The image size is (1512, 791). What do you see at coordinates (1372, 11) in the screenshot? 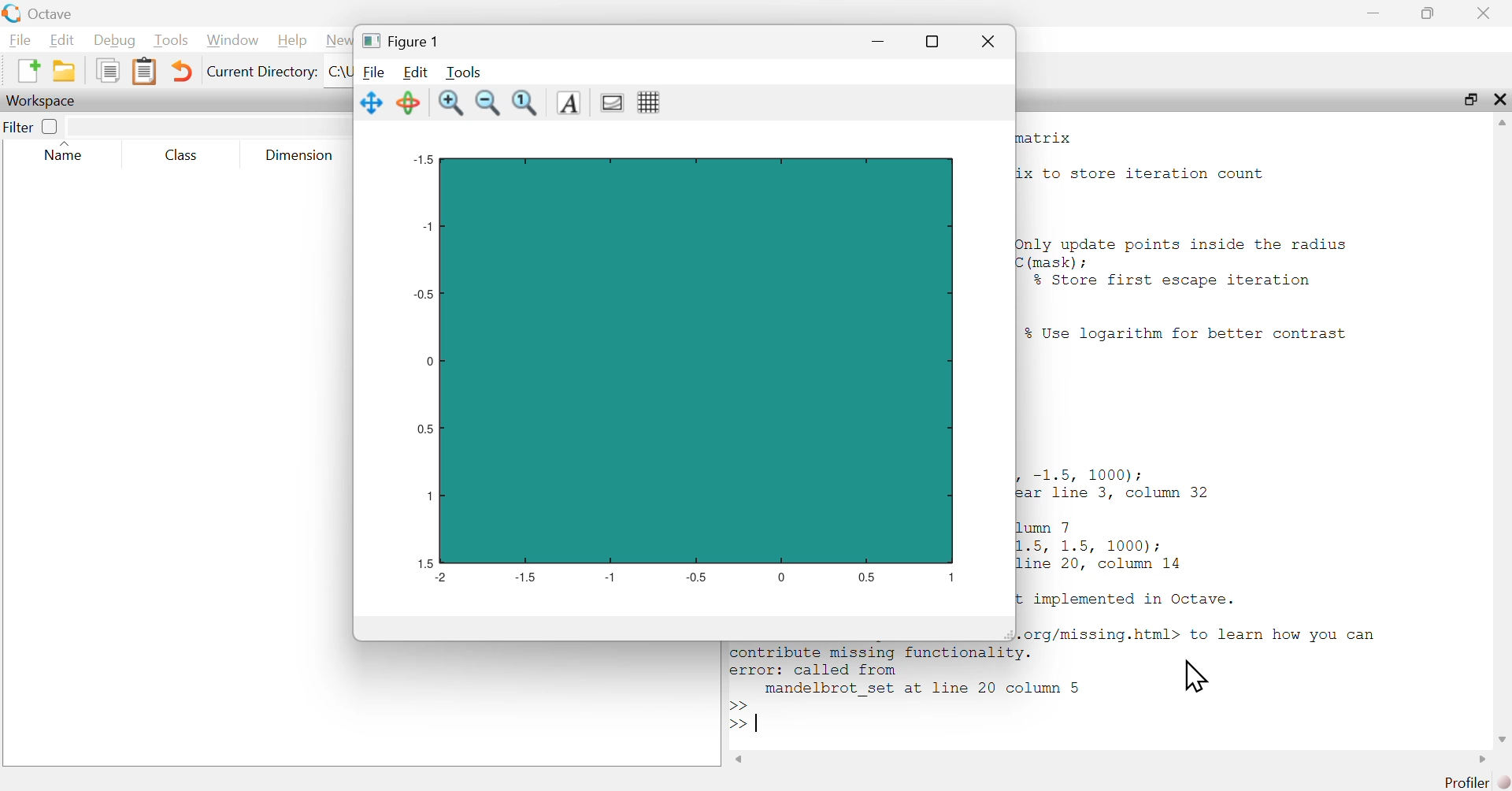
I see `minimize` at bounding box center [1372, 11].